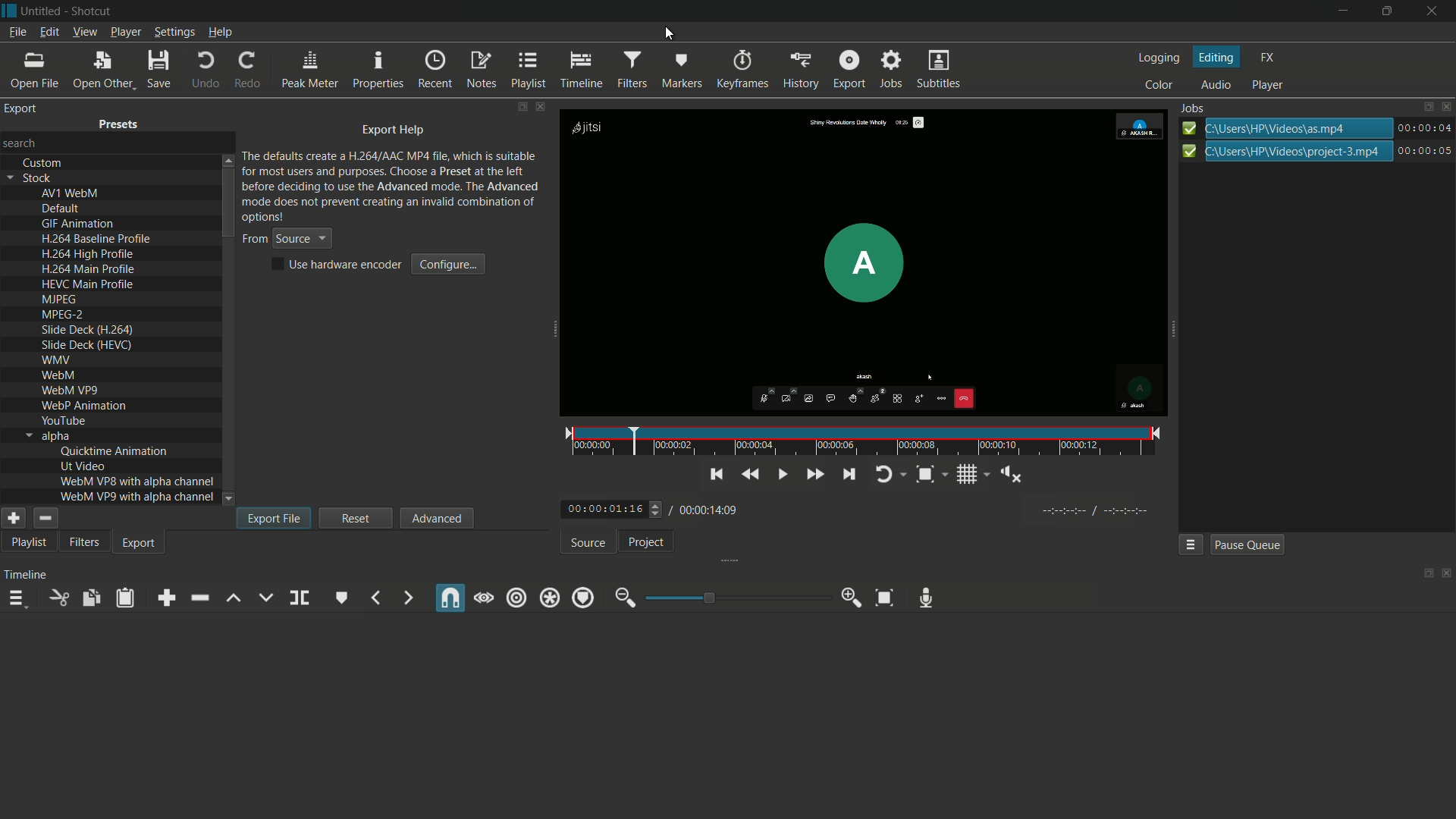 The height and width of the screenshot is (819, 1456). What do you see at coordinates (666, 33) in the screenshot?
I see `cursor` at bounding box center [666, 33].